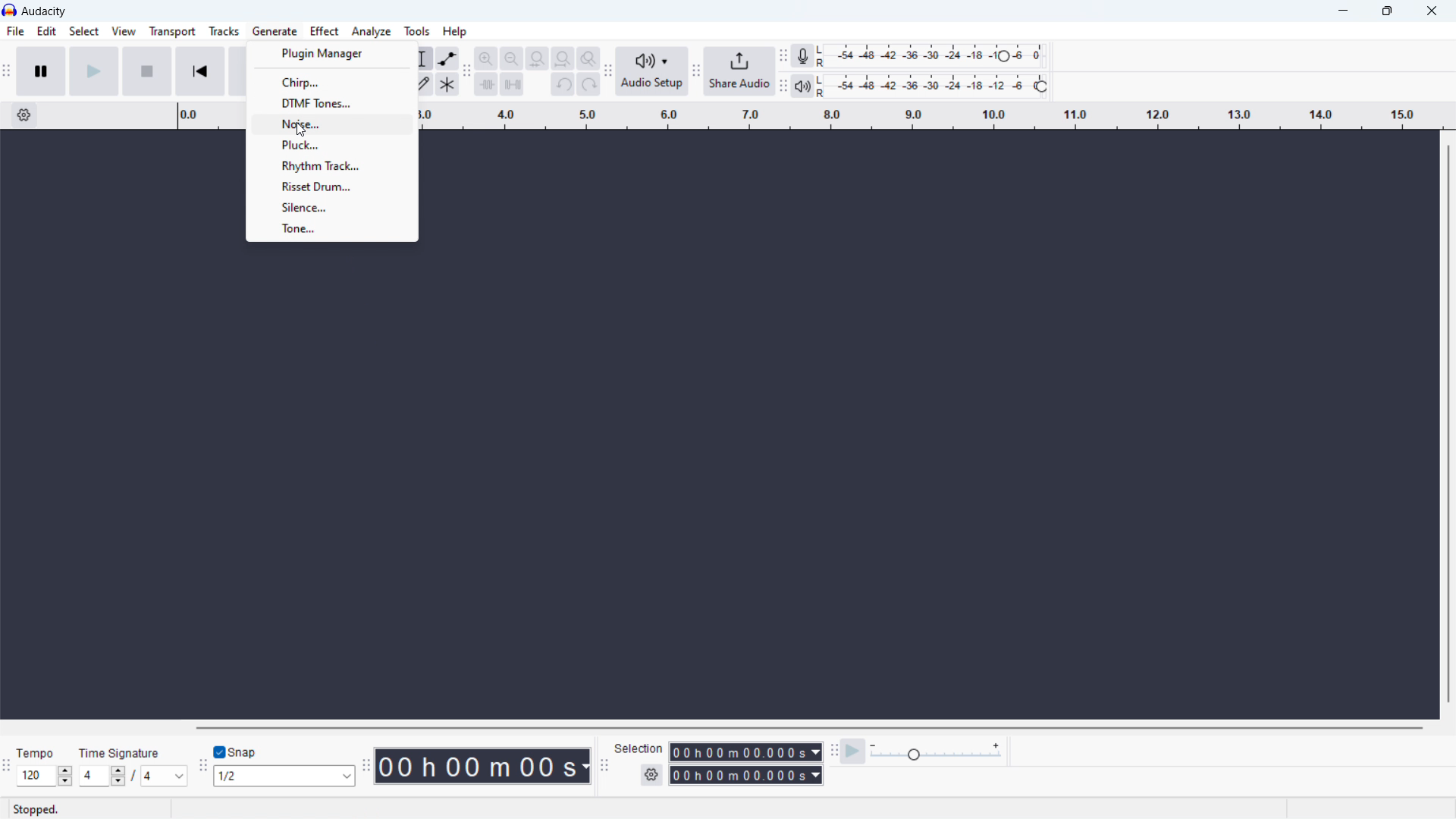 This screenshot has height=819, width=1456. Describe the element at coordinates (1389, 11) in the screenshot. I see `maximize Audacity` at that location.